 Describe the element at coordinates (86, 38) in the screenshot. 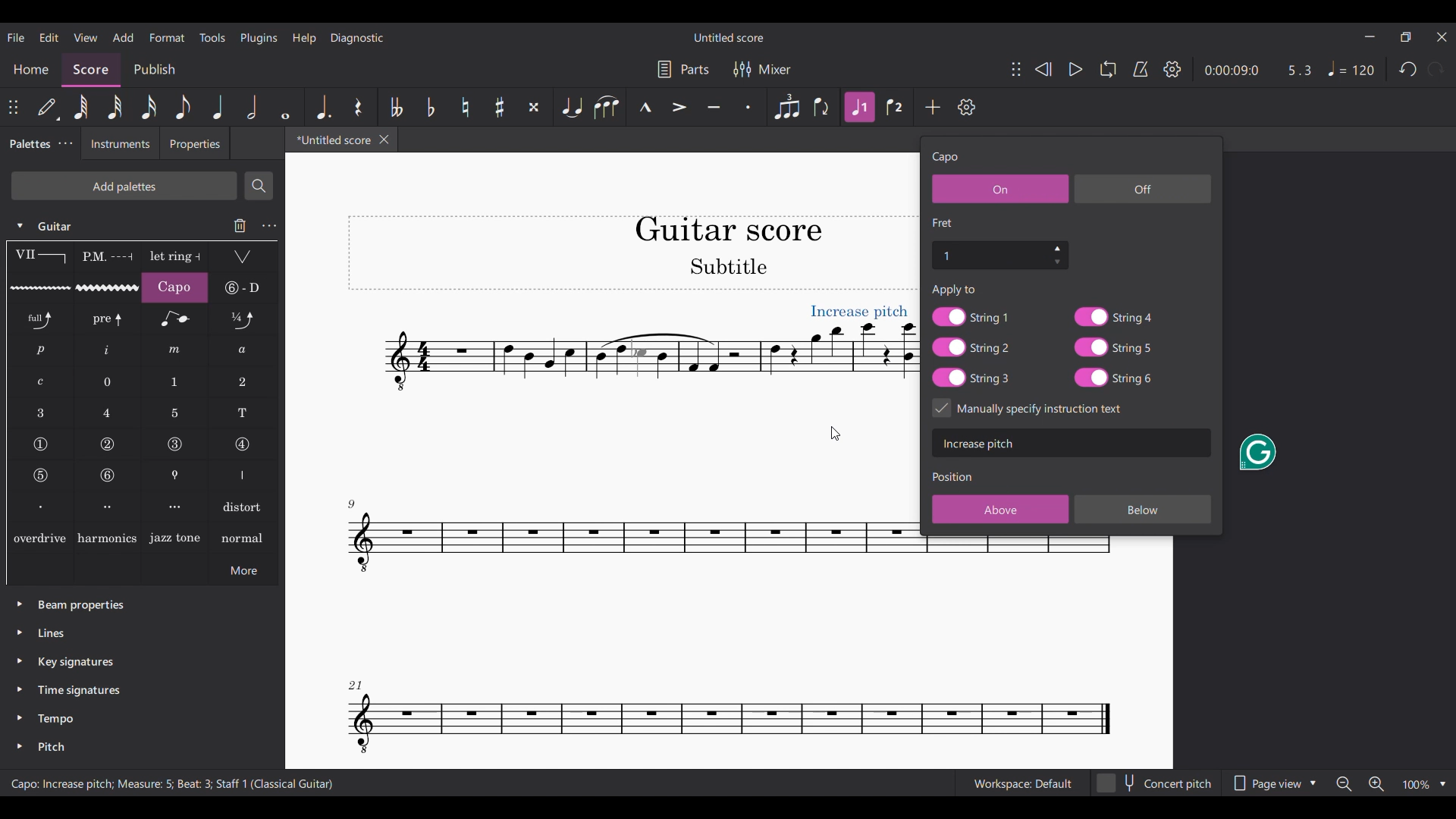

I see `View menu` at that location.